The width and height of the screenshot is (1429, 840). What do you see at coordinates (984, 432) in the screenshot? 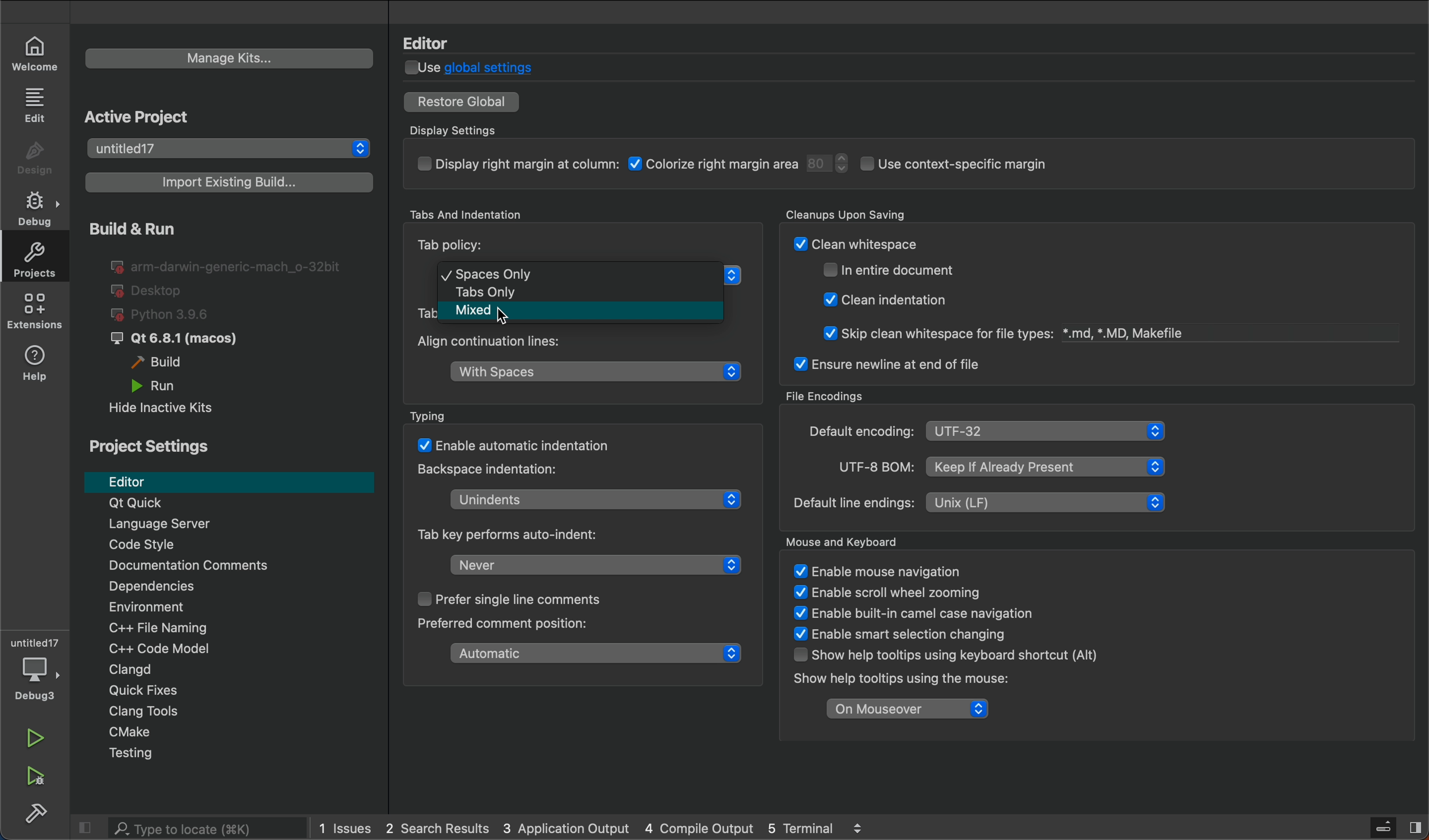
I see `file encoding` at bounding box center [984, 432].